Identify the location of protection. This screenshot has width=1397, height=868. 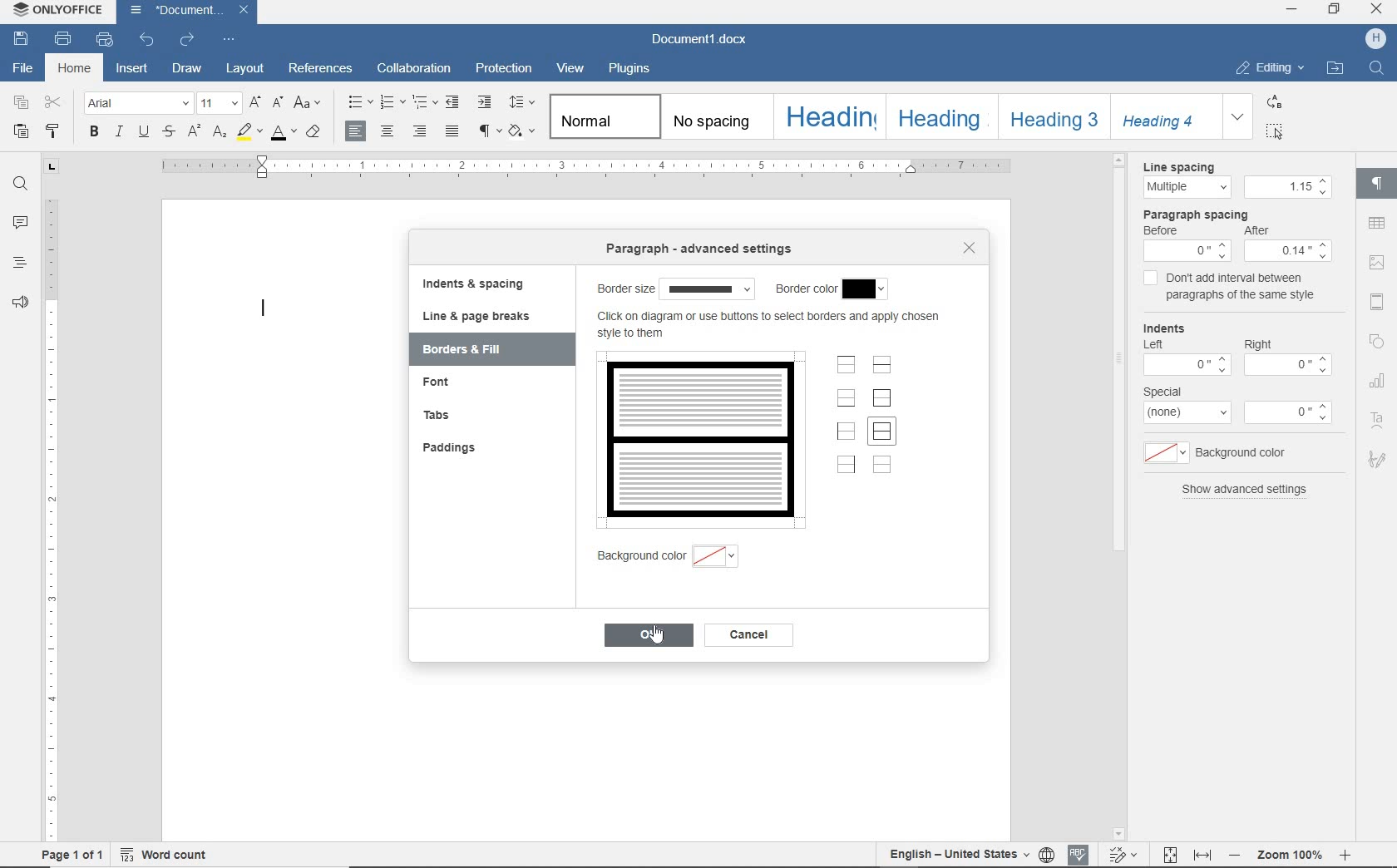
(504, 70).